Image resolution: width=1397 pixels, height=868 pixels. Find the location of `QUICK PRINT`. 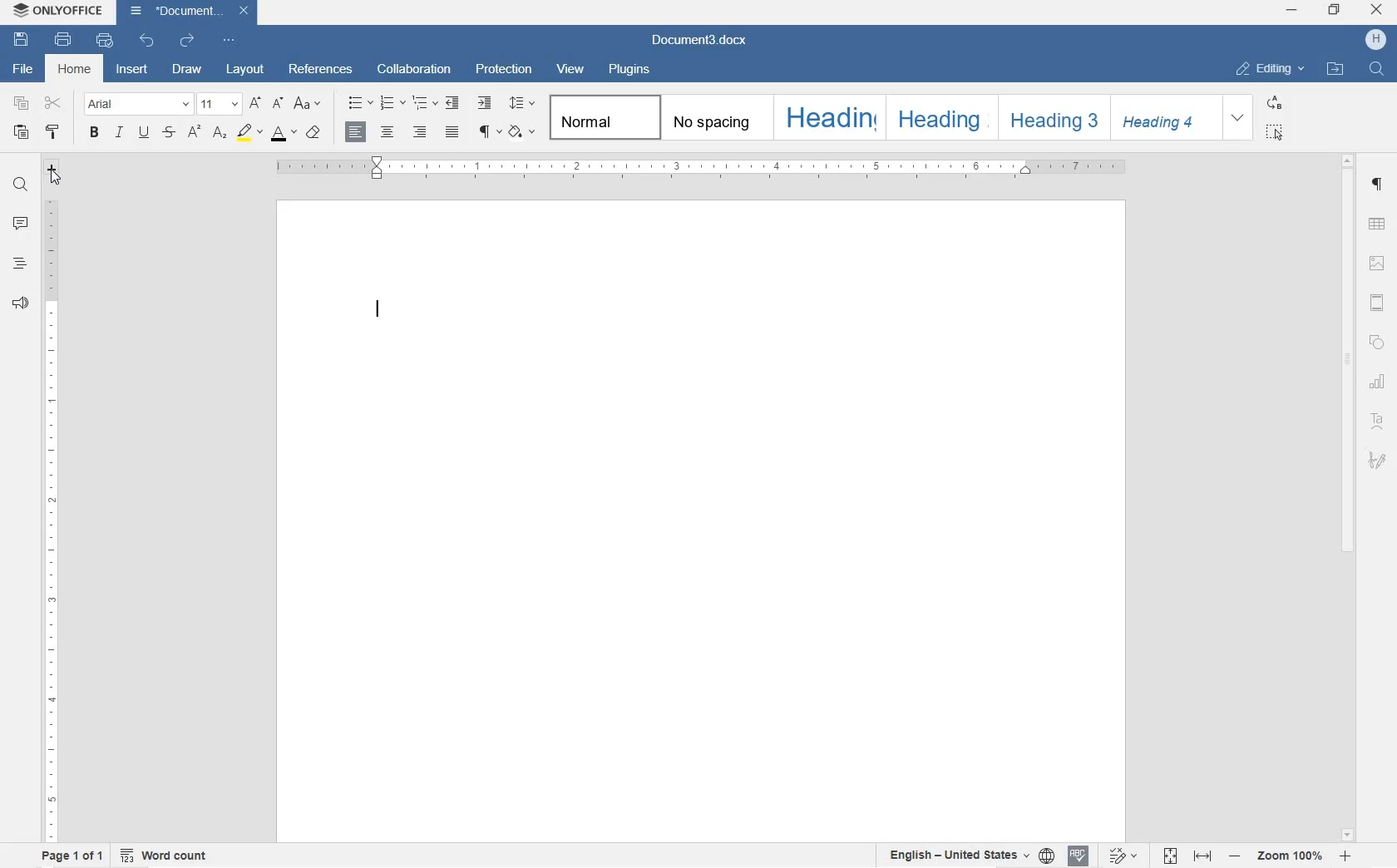

QUICK PRINT is located at coordinates (103, 42).